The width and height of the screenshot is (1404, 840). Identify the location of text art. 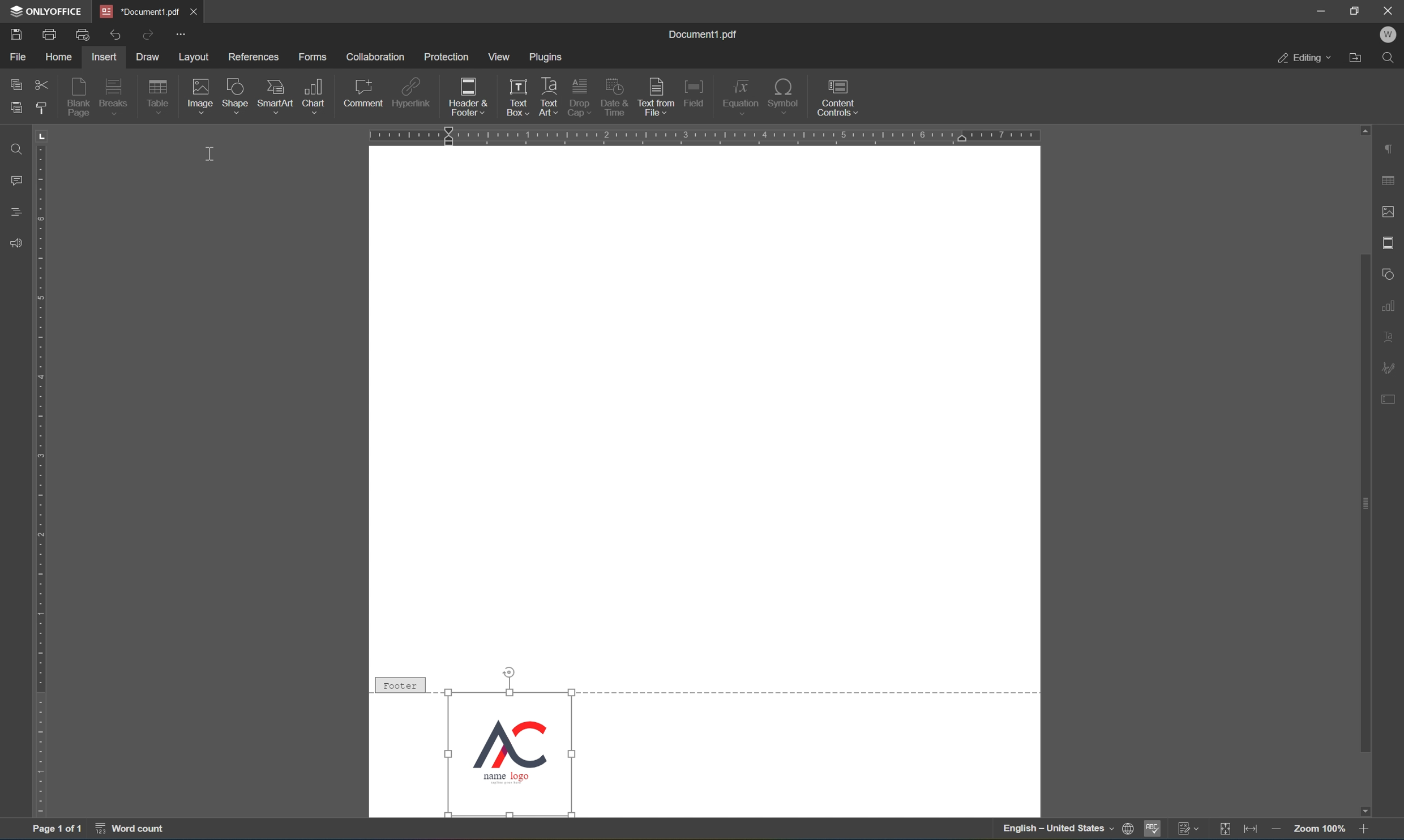
(549, 84).